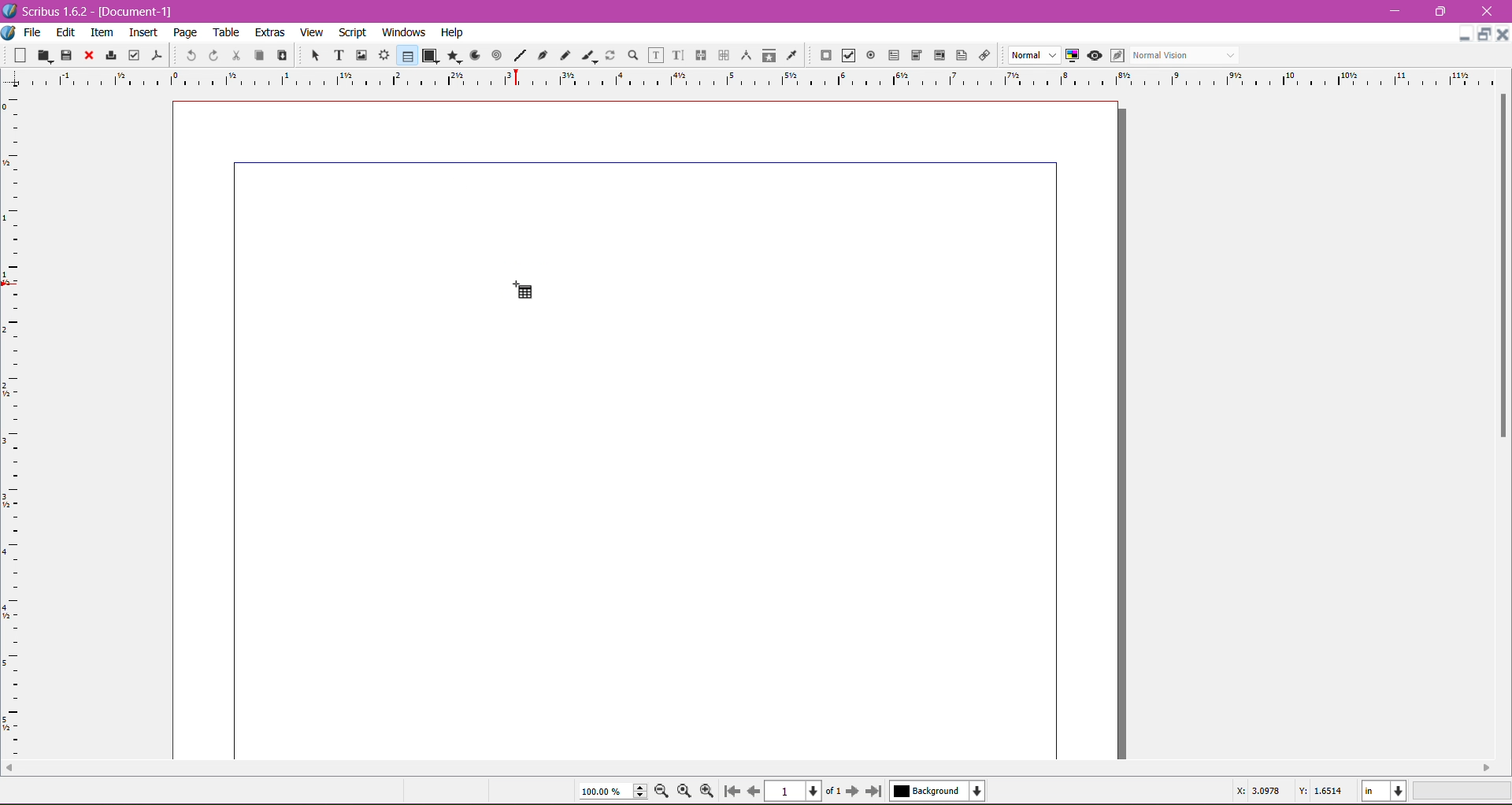 The height and width of the screenshot is (805, 1512). What do you see at coordinates (451, 55) in the screenshot?
I see `Polygon` at bounding box center [451, 55].